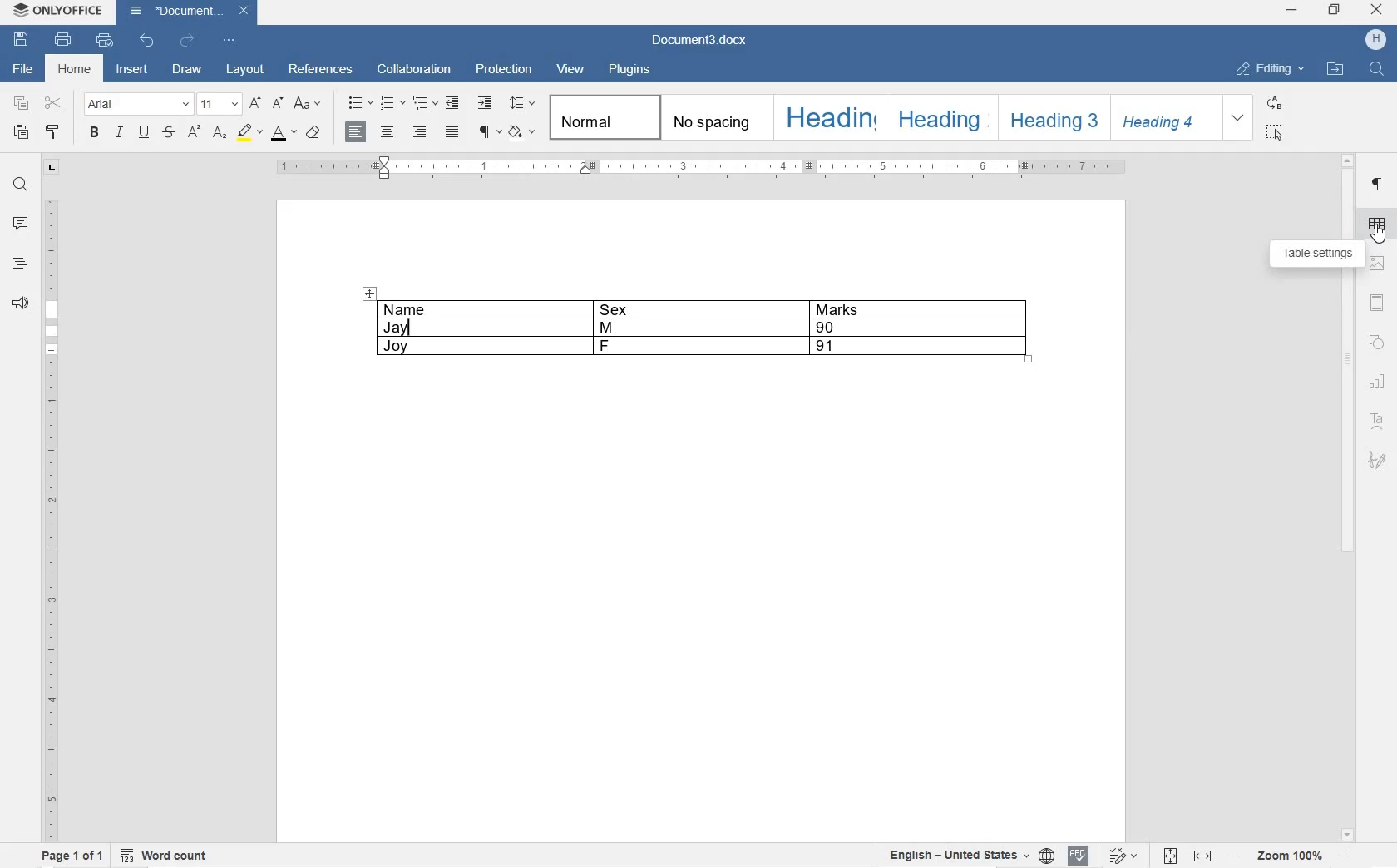  I want to click on CHANGE CASE, so click(309, 103).